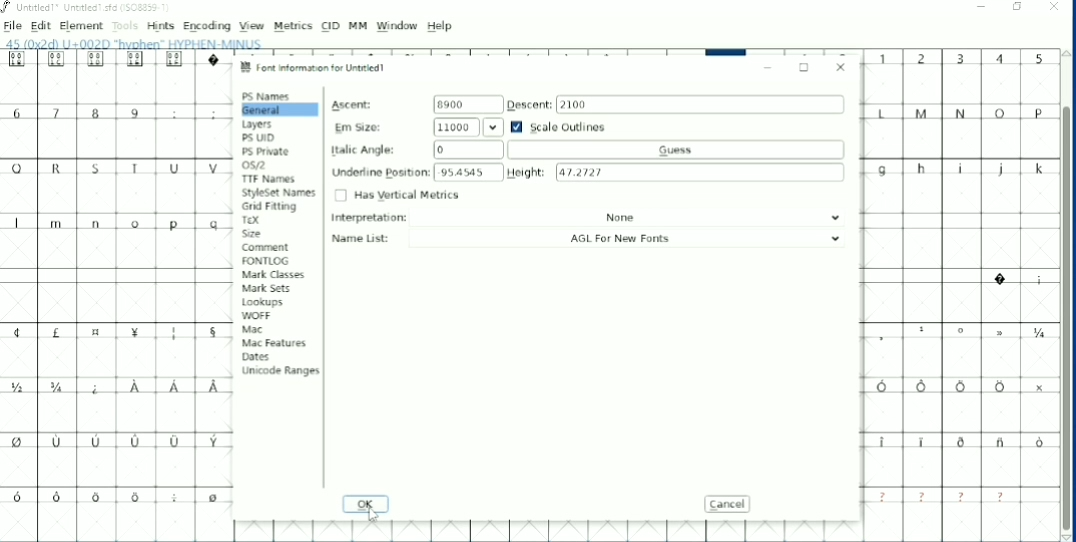 This screenshot has height=542, width=1076. What do you see at coordinates (730, 504) in the screenshot?
I see `Cancel` at bounding box center [730, 504].